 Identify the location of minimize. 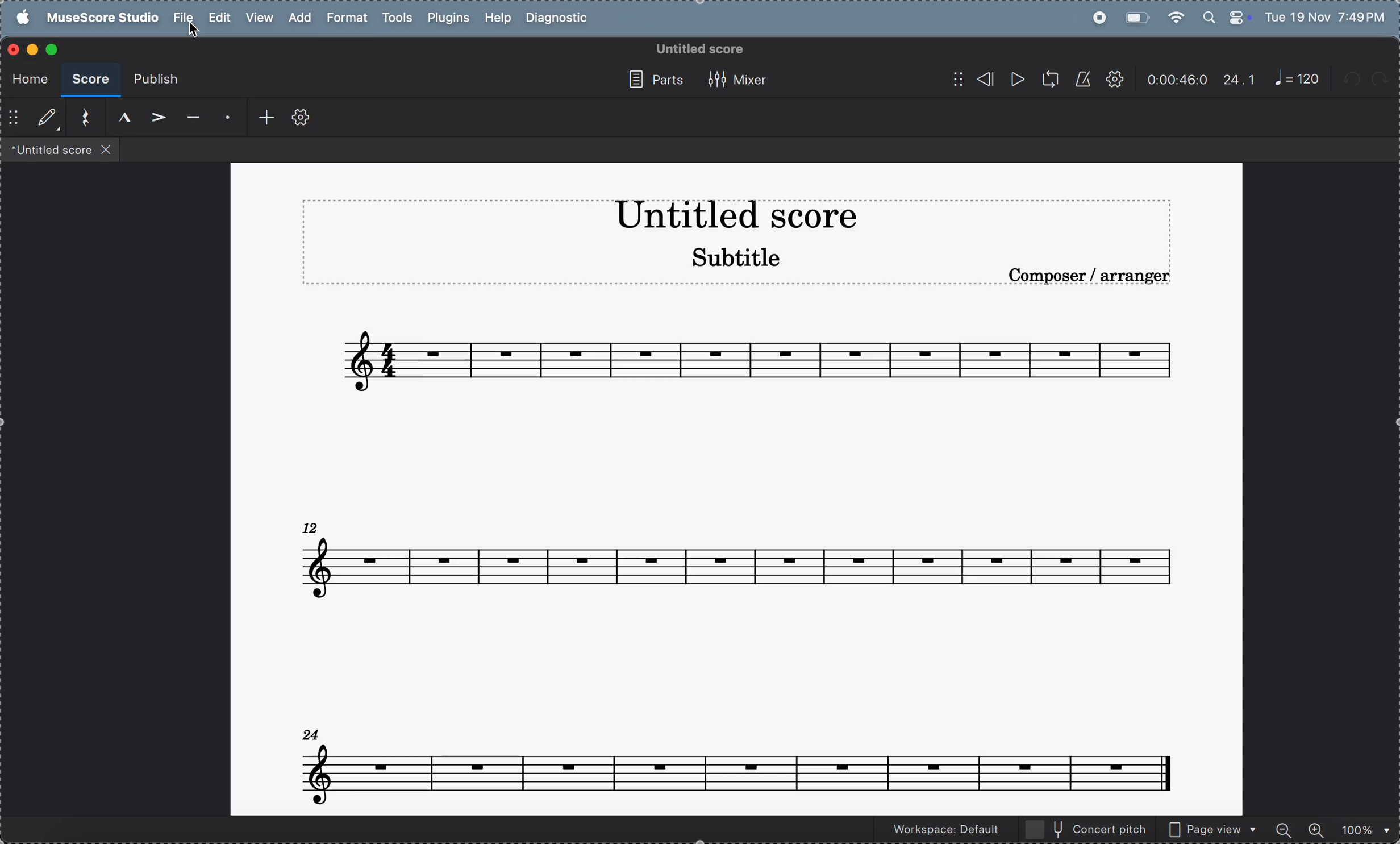
(32, 49).